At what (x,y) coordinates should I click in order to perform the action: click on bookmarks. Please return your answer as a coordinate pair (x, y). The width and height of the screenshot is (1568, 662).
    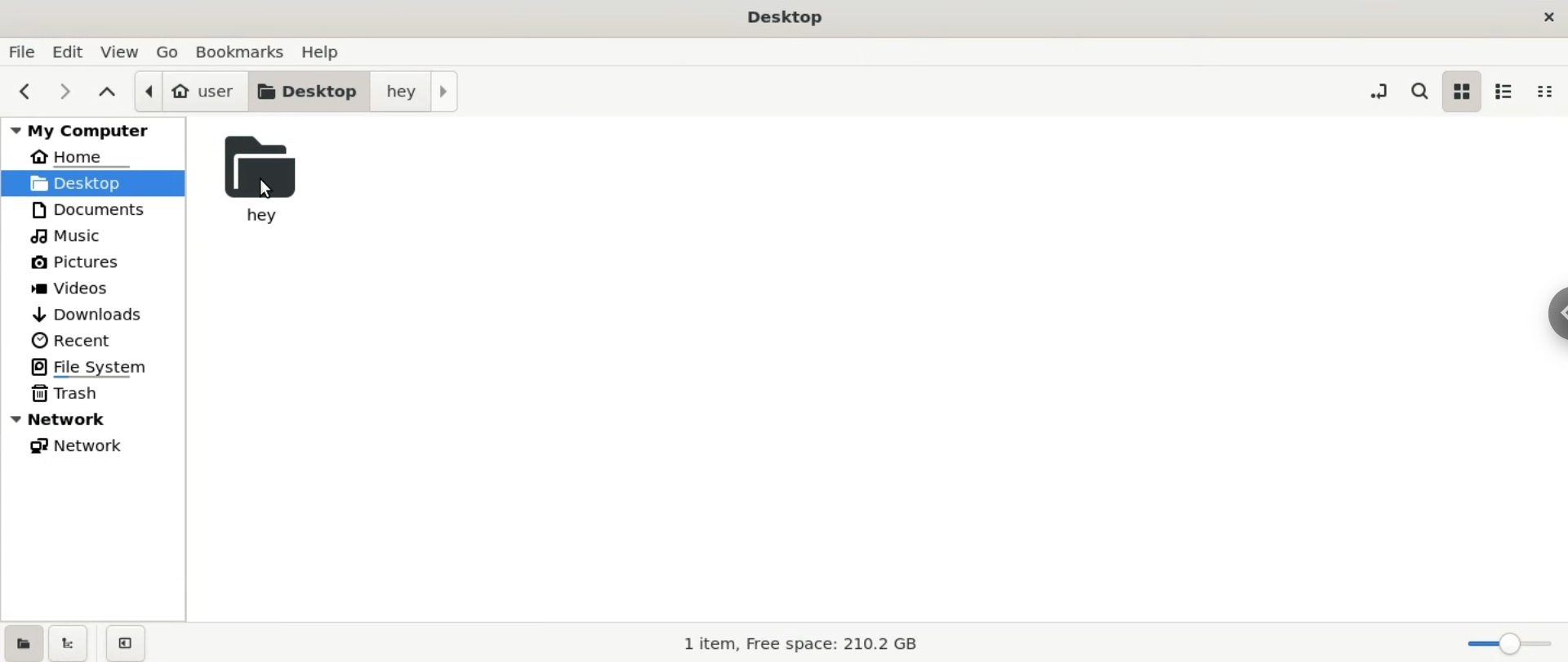
    Looking at the image, I should click on (247, 51).